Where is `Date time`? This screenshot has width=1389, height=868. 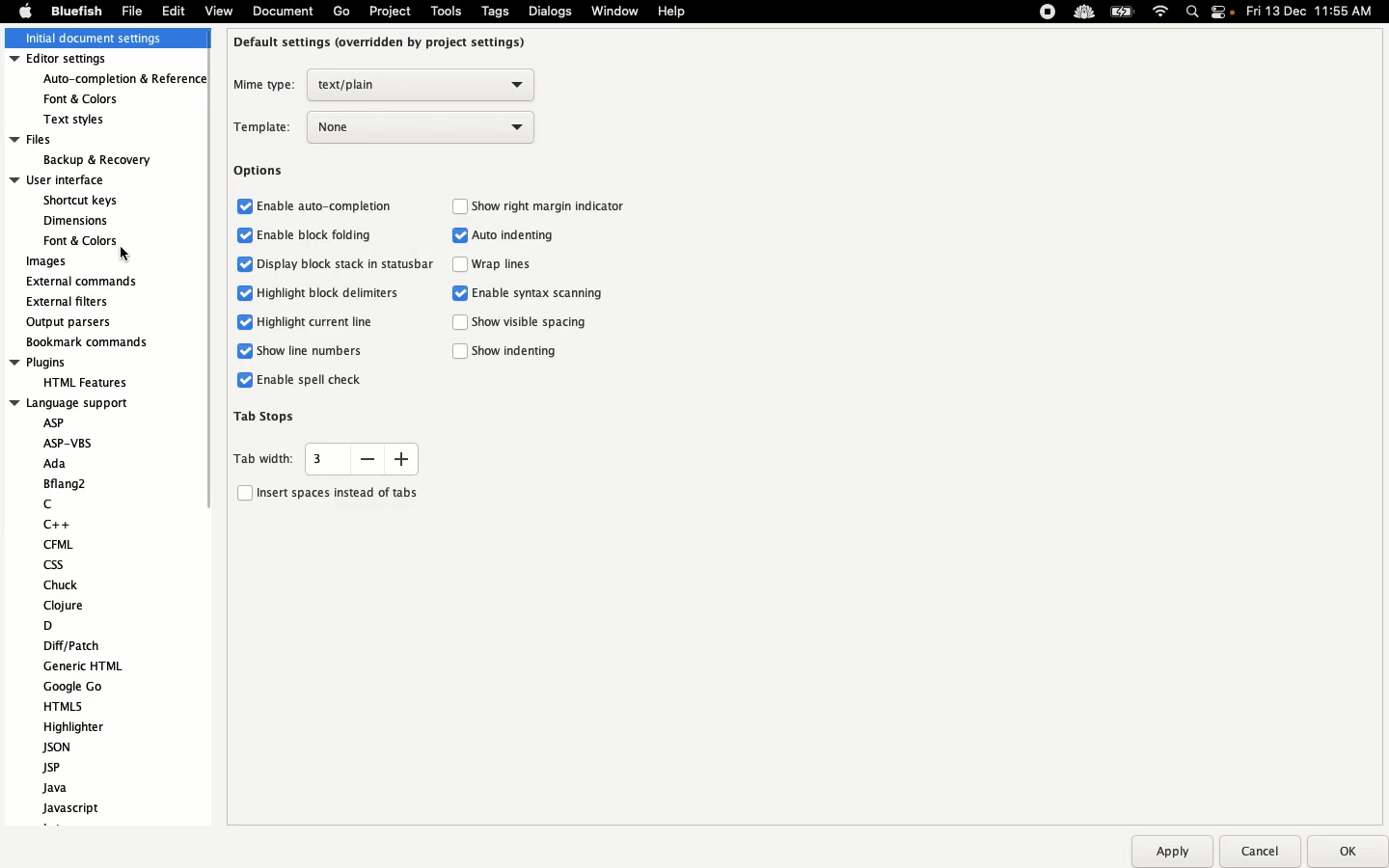
Date time is located at coordinates (1316, 11).